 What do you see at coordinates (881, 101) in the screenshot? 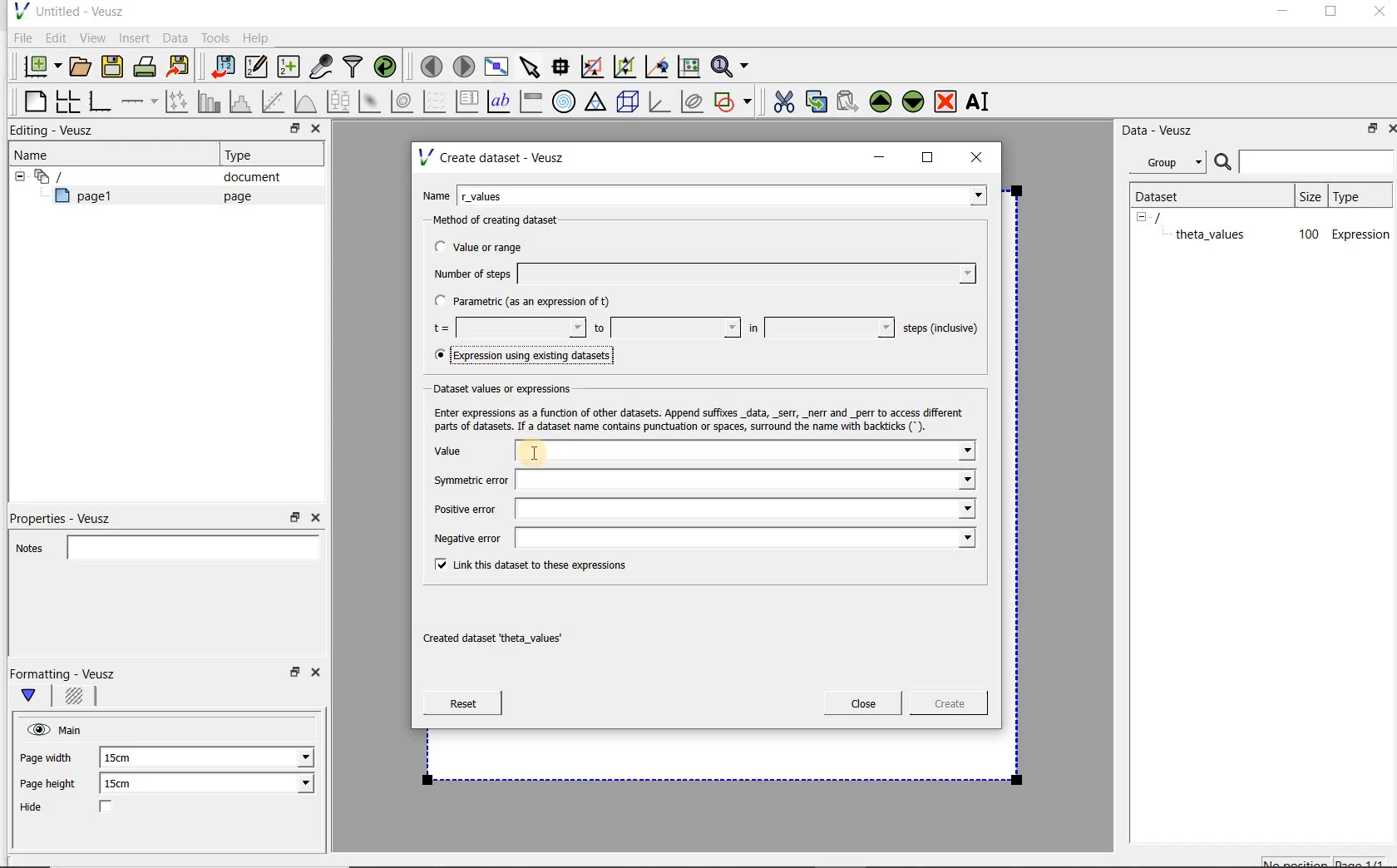
I see `Move the selected widget up` at bounding box center [881, 101].